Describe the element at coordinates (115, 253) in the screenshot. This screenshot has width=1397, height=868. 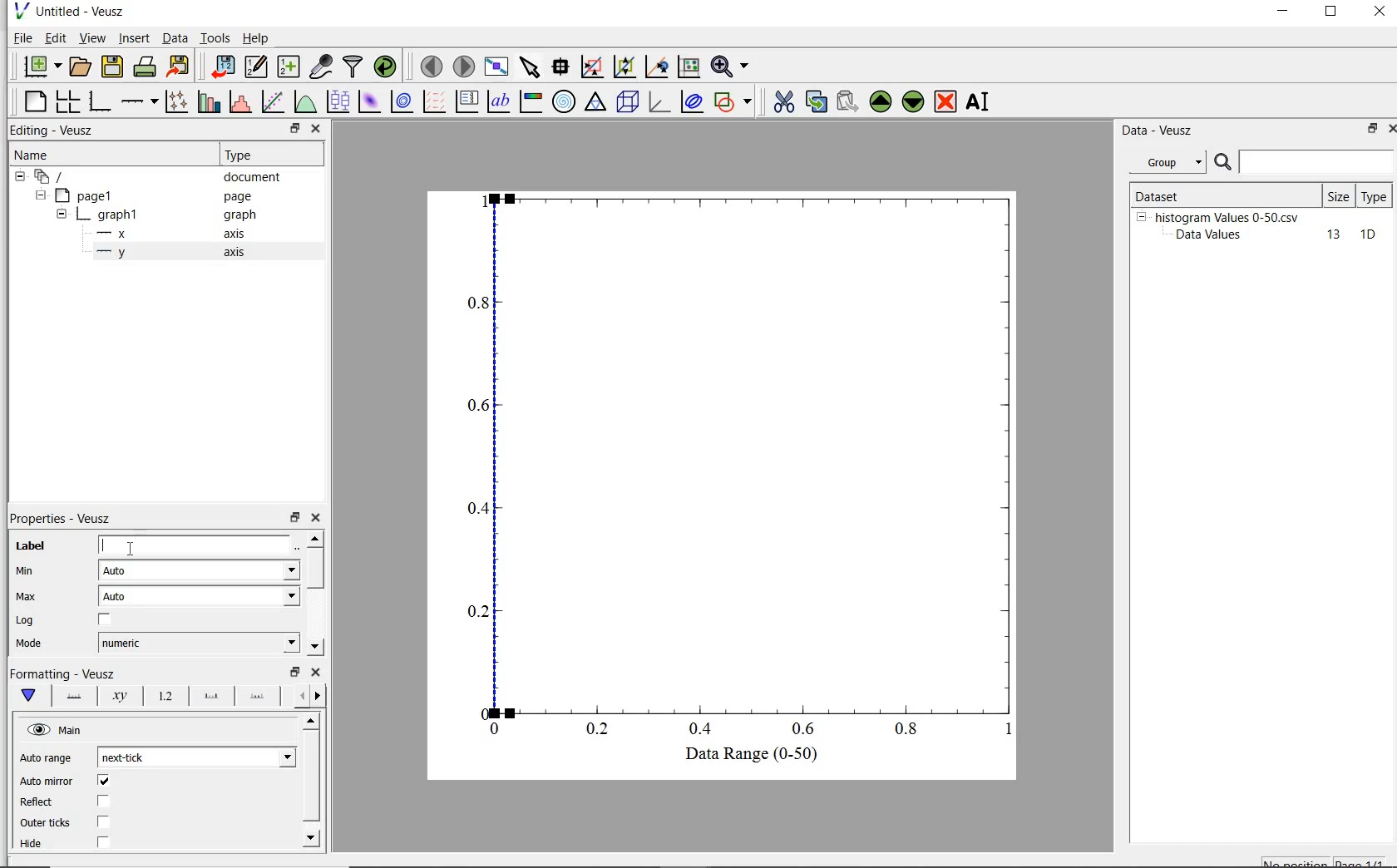
I see `y-axis` at that location.